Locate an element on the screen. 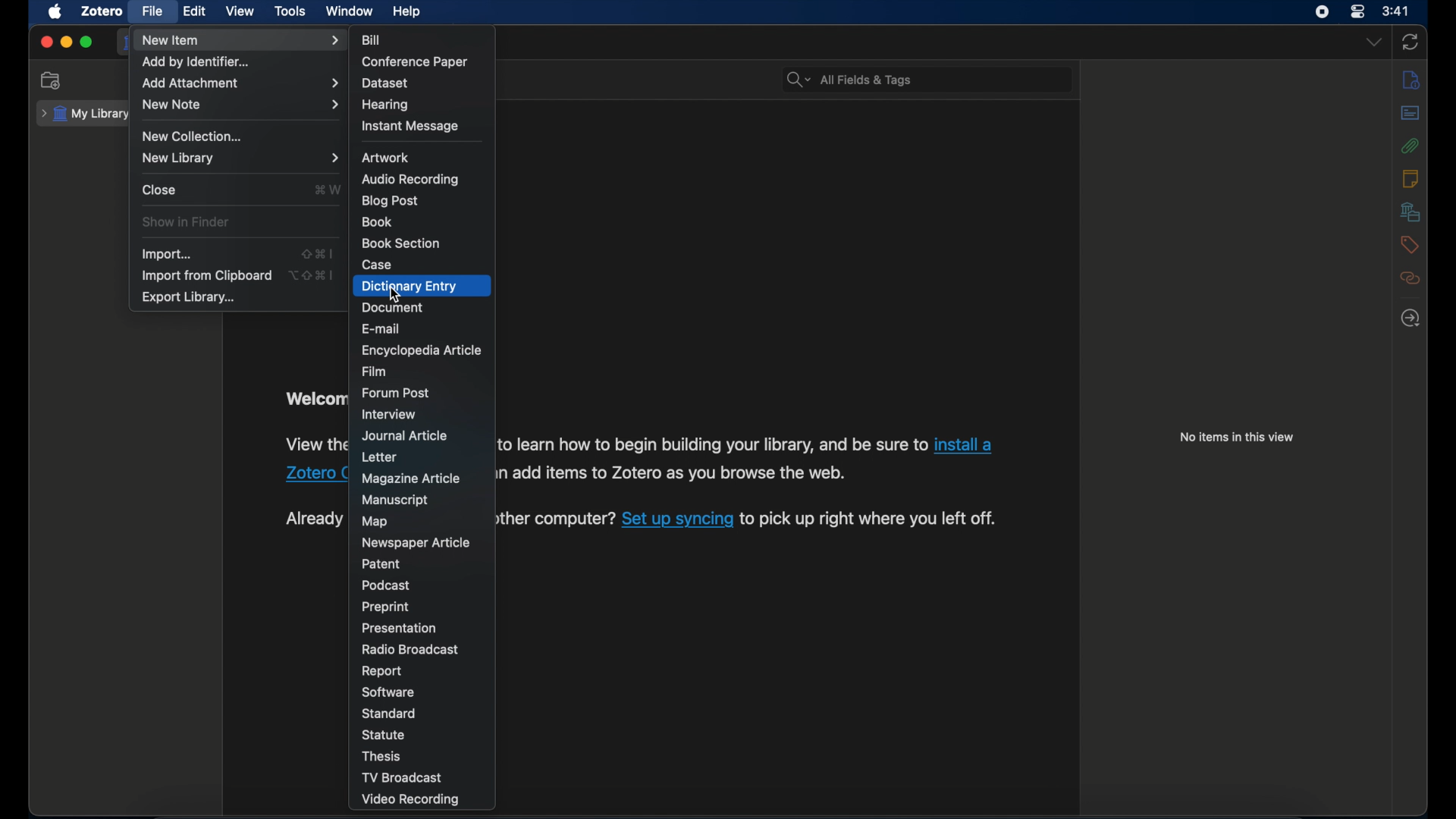  blog post is located at coordinates (391, 202).